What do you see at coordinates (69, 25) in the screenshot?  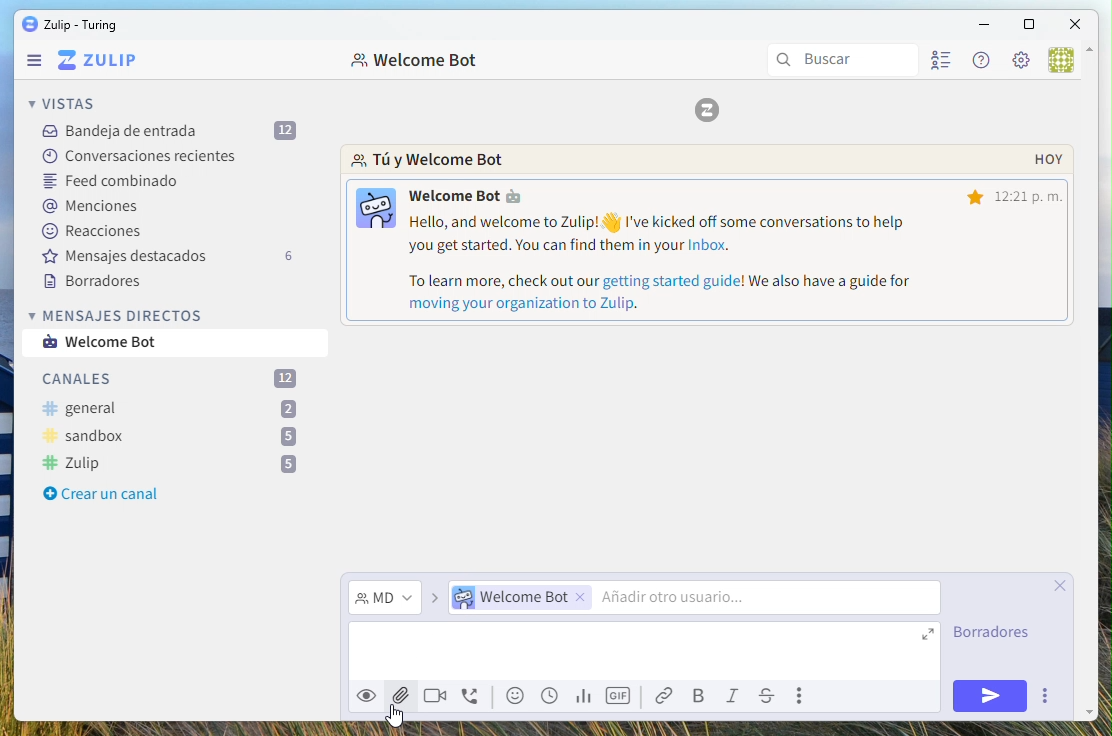 I see `Zulip` at bounding box center [69, 25].